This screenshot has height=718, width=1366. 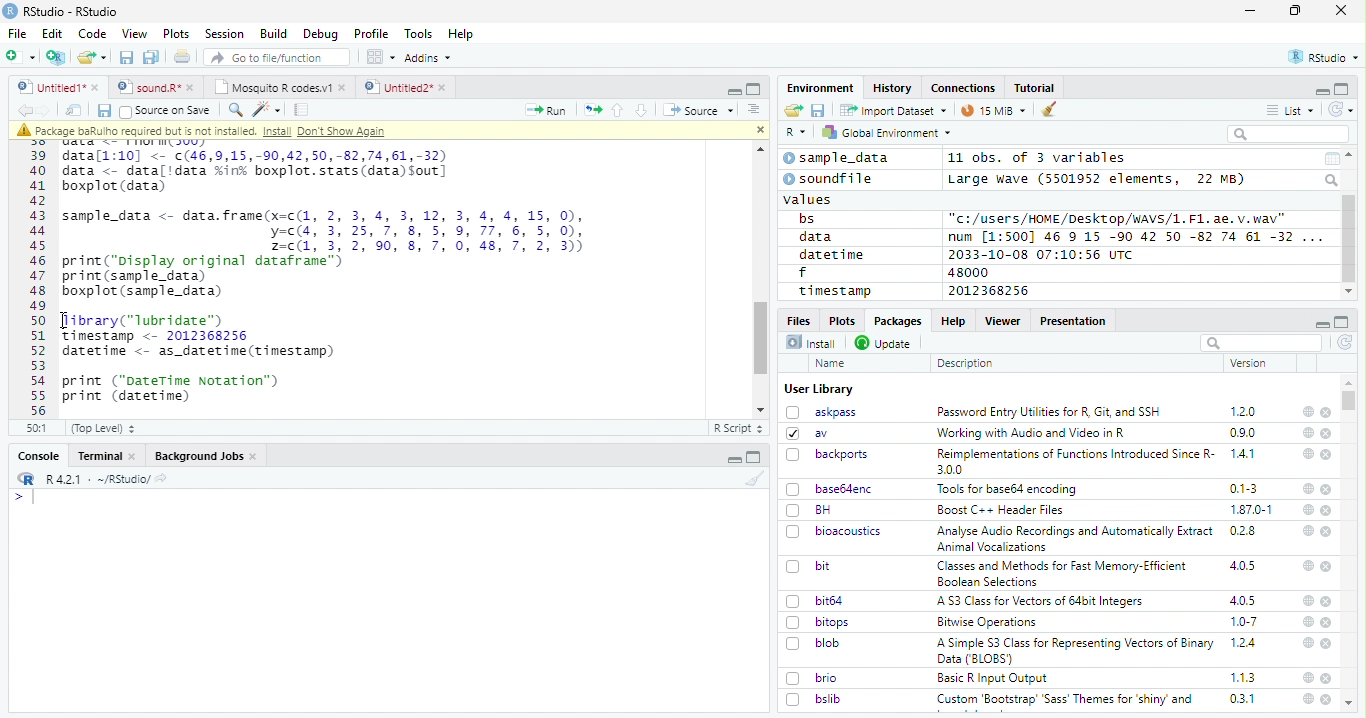 What do you see at coordinates (38, 428) in the screenshot?
I see `56:1` at bounding box center [38, 428].